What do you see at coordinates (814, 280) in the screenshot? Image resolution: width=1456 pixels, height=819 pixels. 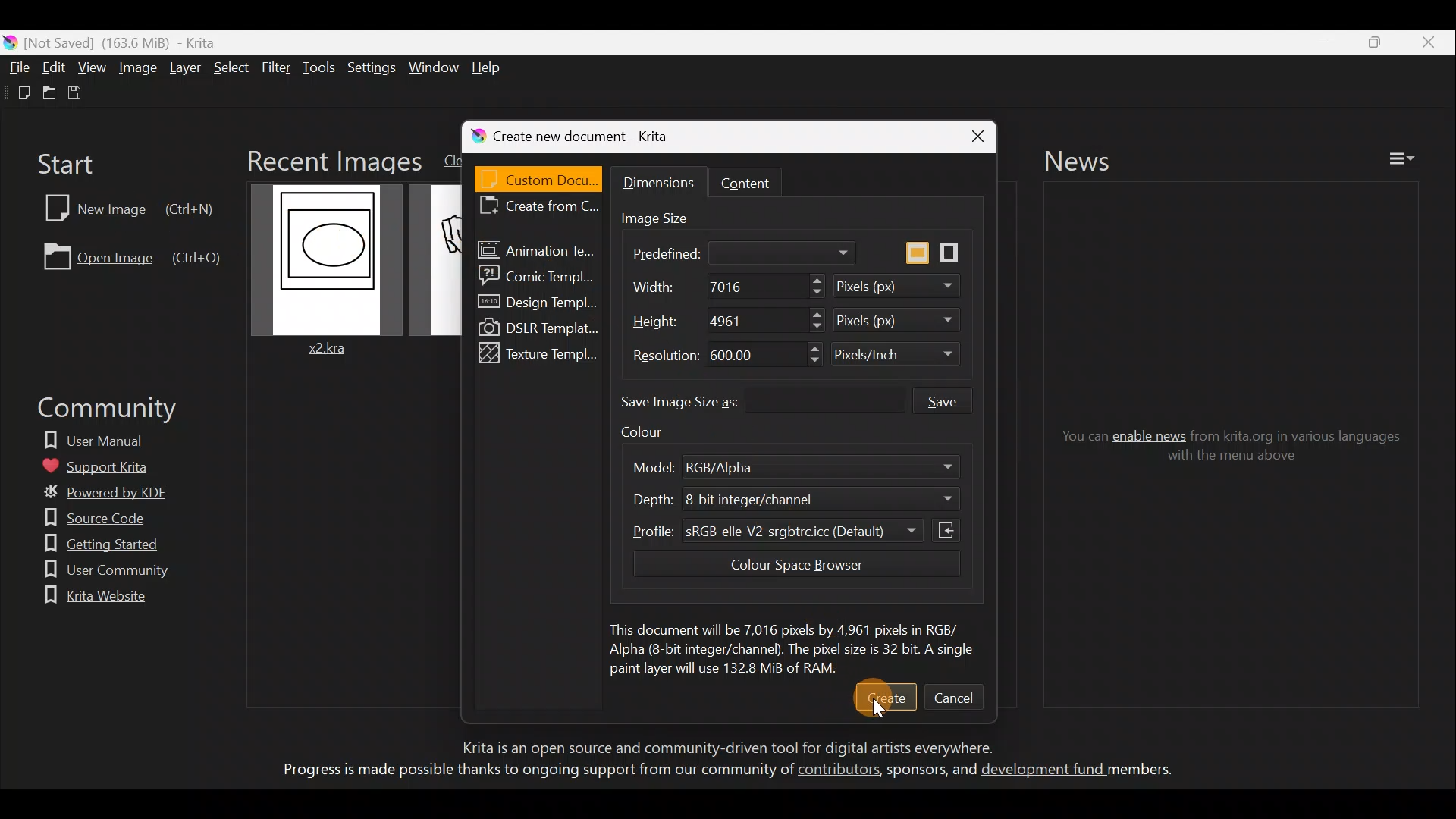 I see `Increase Width ` at bounding box center [814, 280].